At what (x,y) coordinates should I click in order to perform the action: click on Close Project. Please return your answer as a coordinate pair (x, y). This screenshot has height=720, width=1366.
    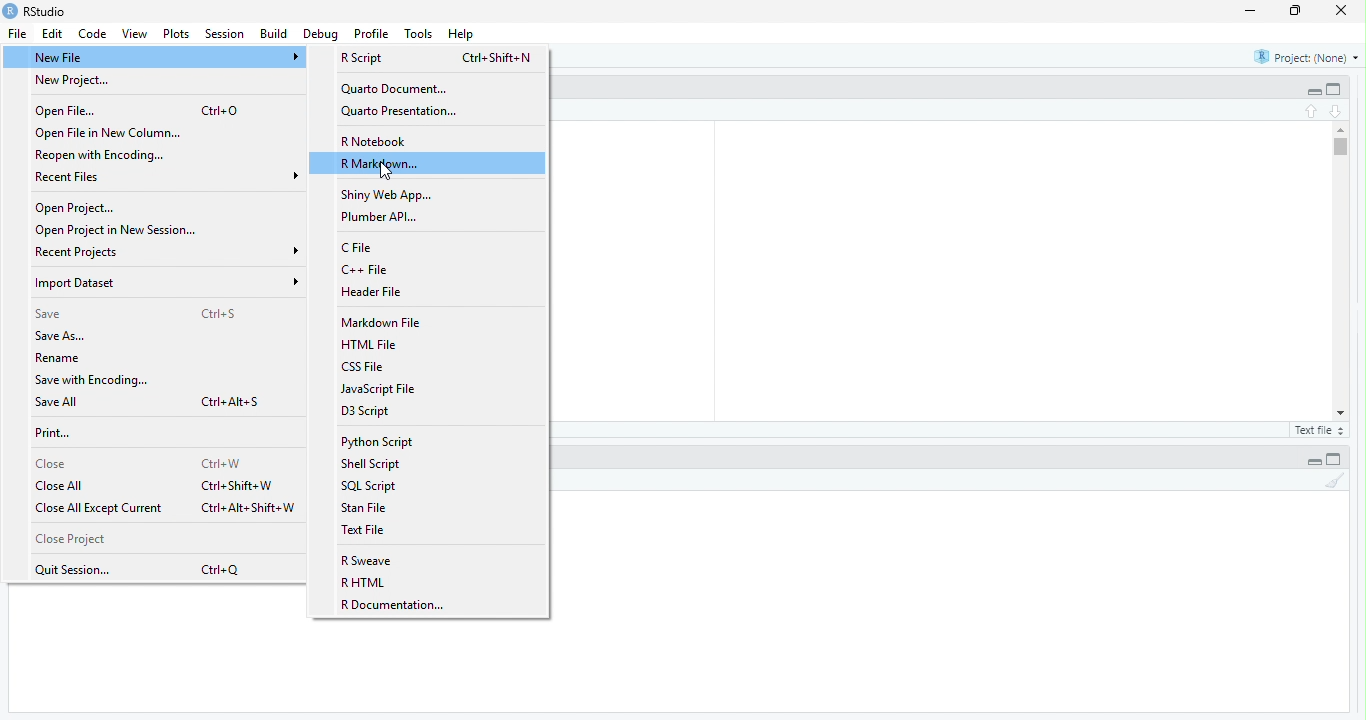
    Looking at the image, I should click on (71, 539).